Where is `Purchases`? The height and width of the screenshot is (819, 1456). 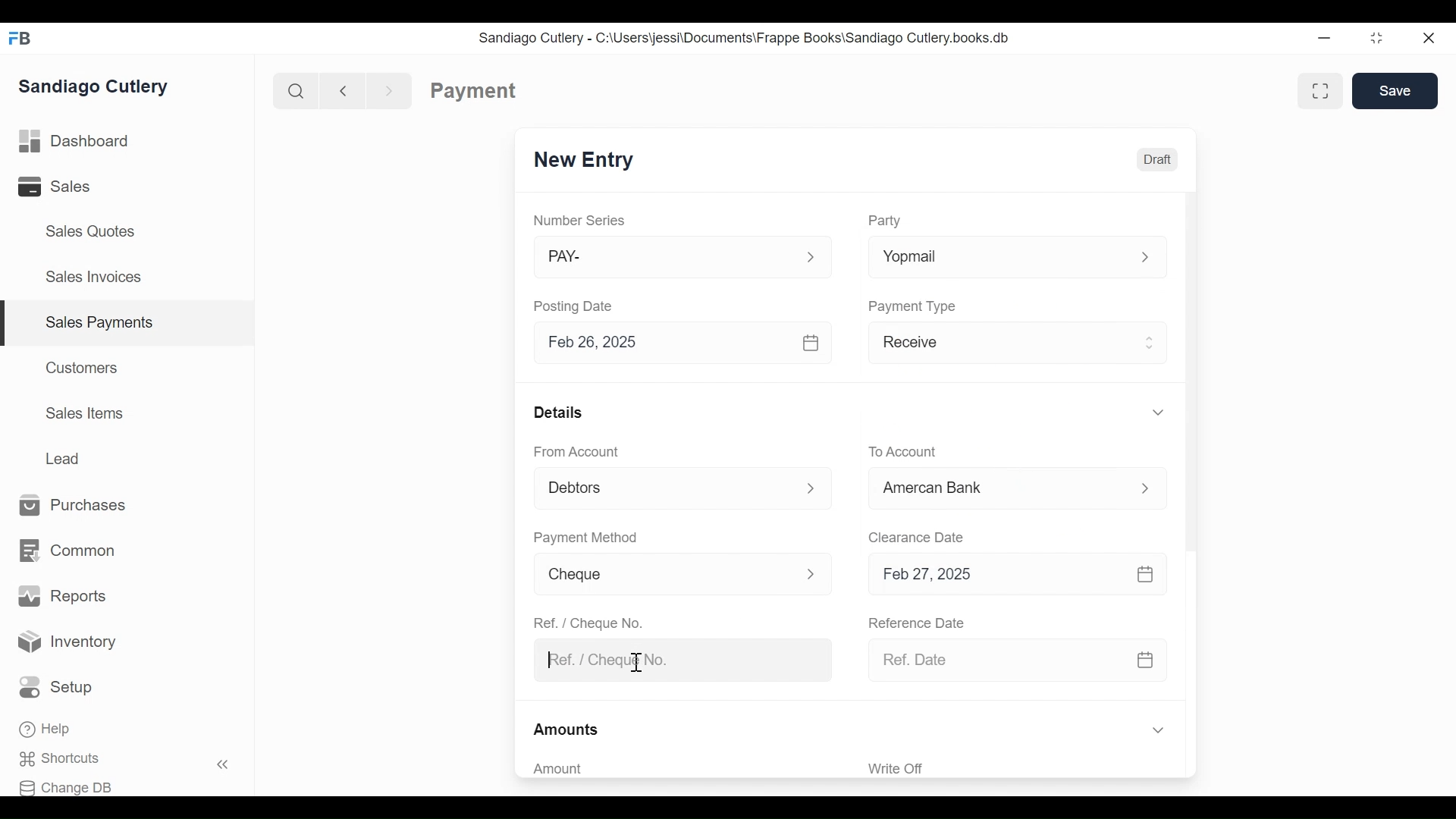 Purchases is located at coordinates (74, 506).